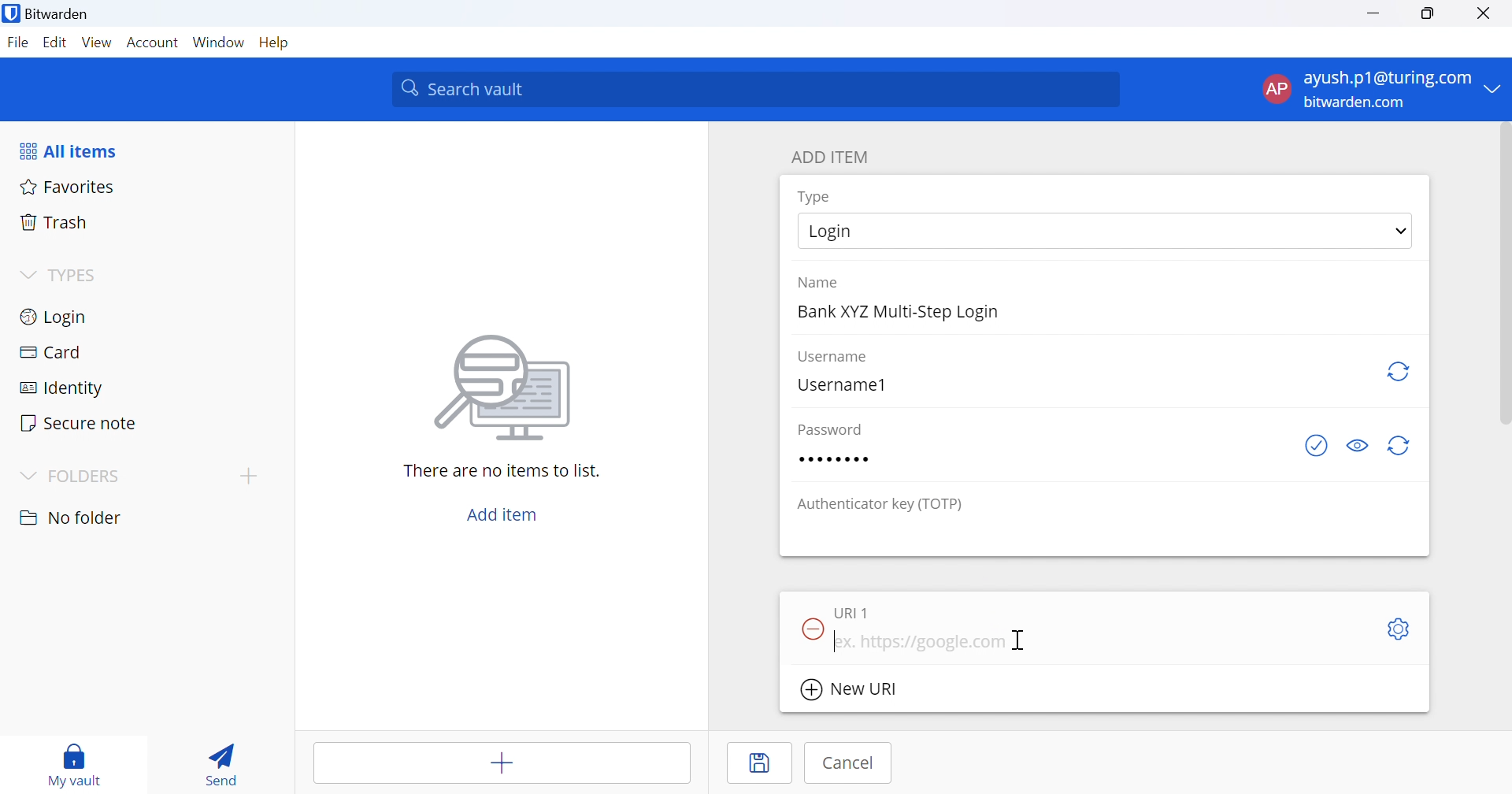 This screenshot has height=794, width=1512. What do you see at coordinates (29, 475) in the screenshot?
I see `Drop Down` at bounding box center [29, 475].